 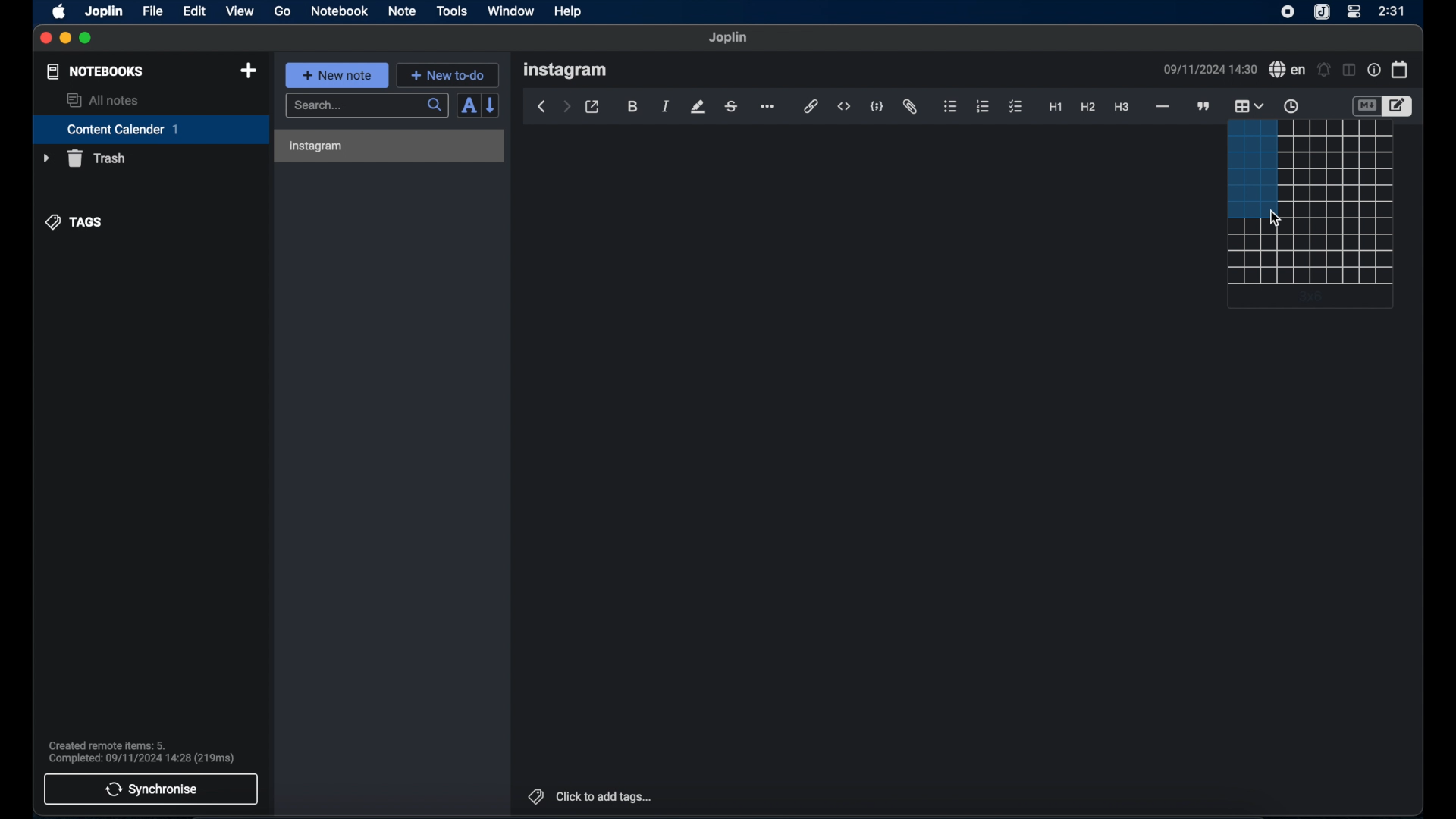 What do you see at coordinates (284, 11) in the screenshot?
I see `go` at bounding box center [284, 11].